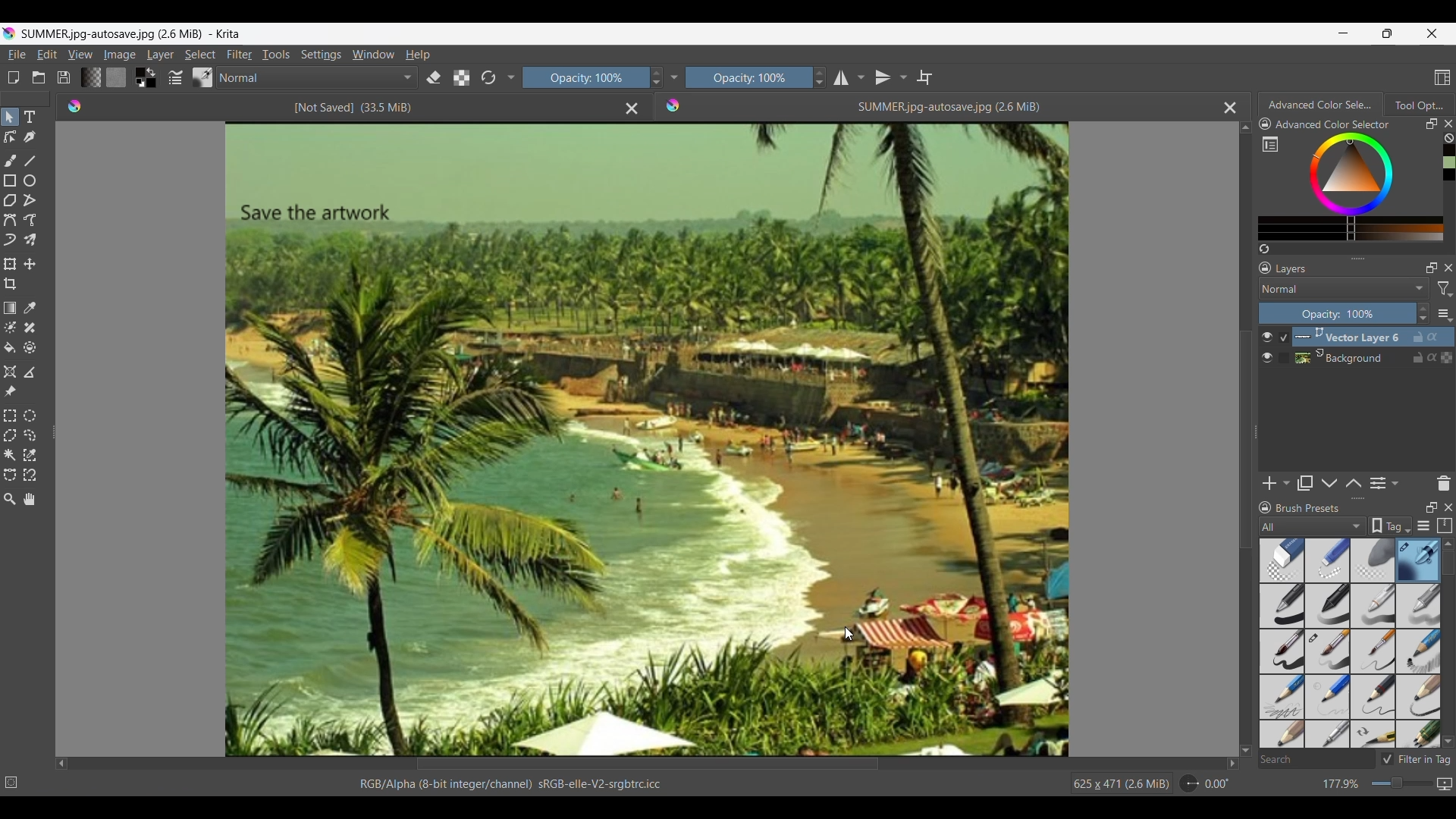 The height and width of the screenshot is (819, 1456). Describe the element at coordinates (10, 347) in the screenshot. I see `Fill tool` at that location.